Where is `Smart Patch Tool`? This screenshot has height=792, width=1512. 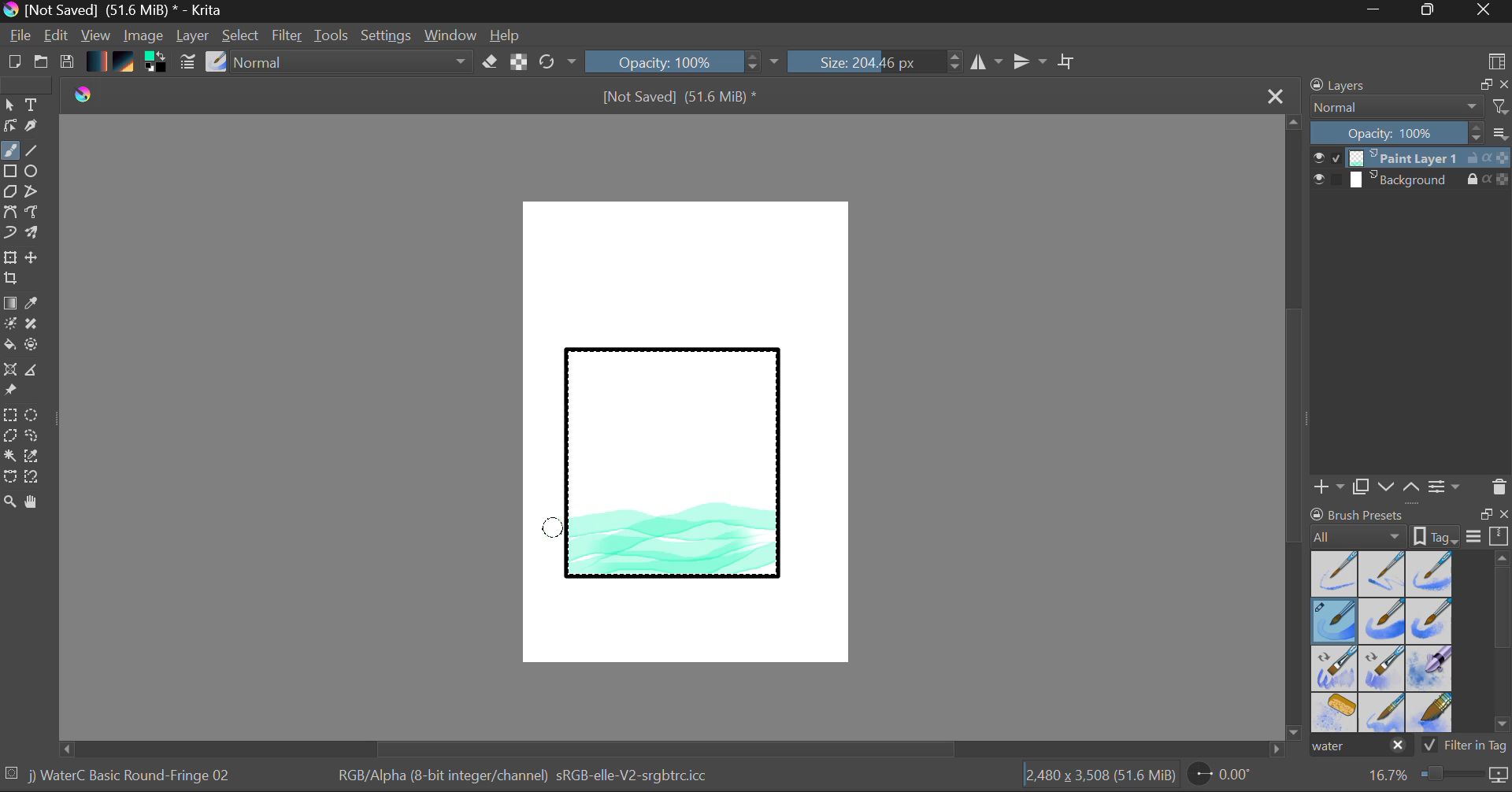
Smart Patch Tool is located at coordinates (37, 327).